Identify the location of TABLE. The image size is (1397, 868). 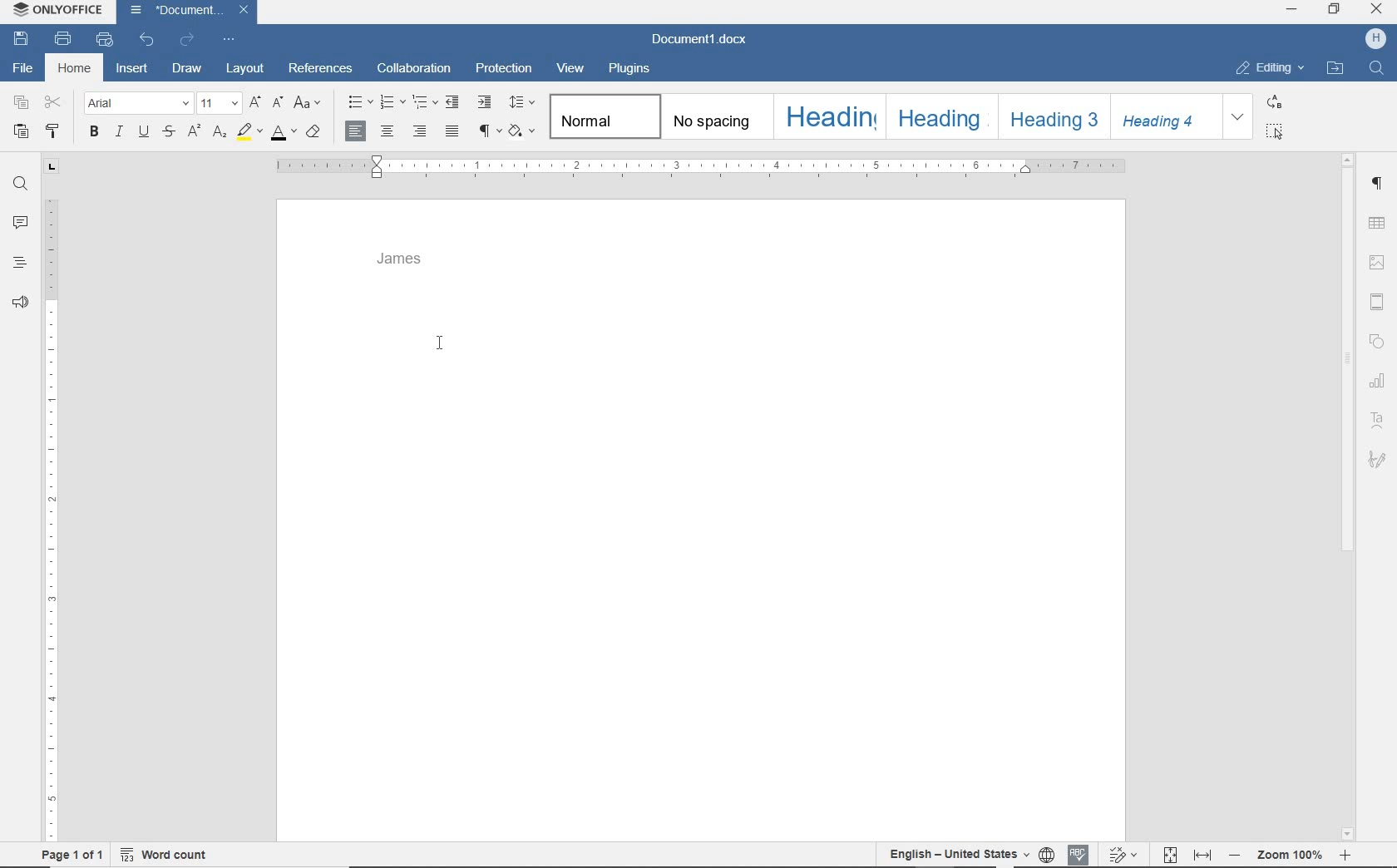
(1377, 223).